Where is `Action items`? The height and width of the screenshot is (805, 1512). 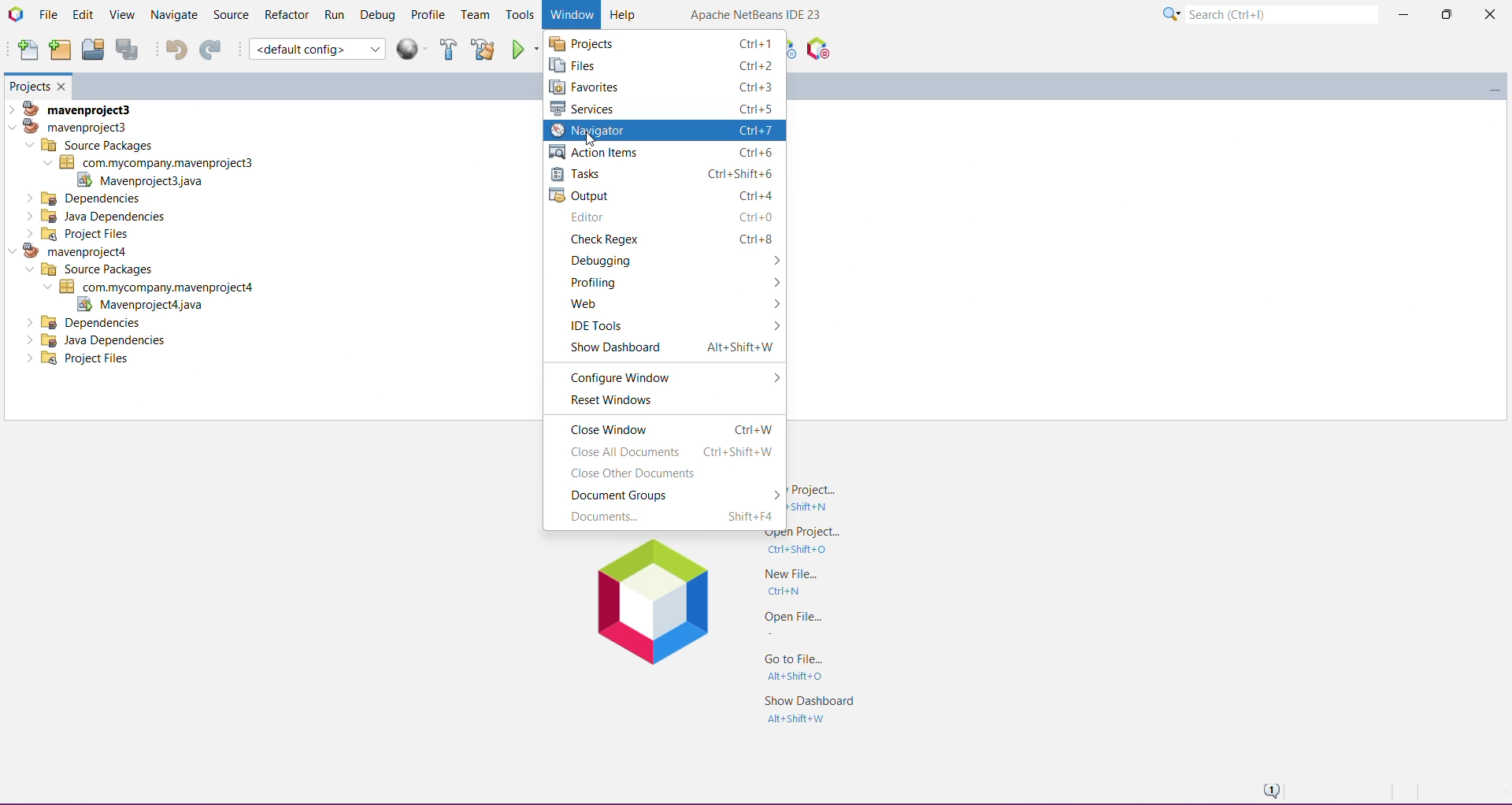
Action items is located at coordinates (665, 152).